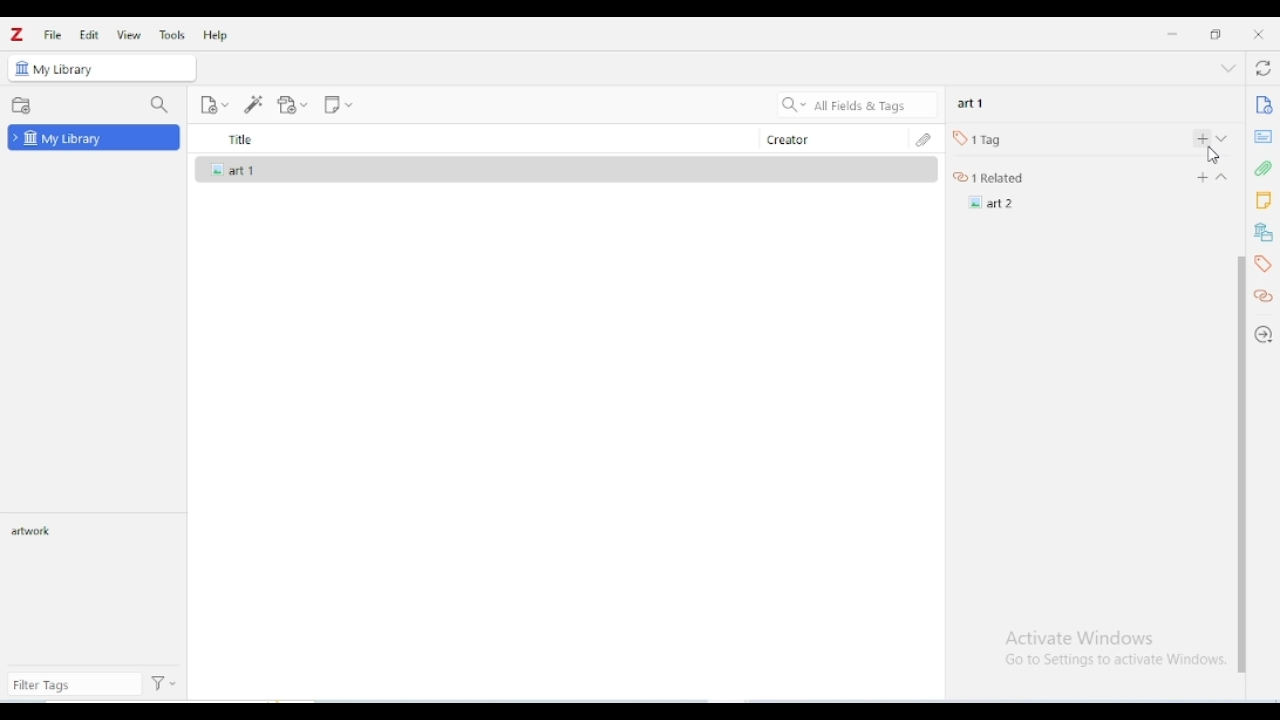 This screenshot has height=720, width=1280. What do you see at coordinates (1265, 334) in the screenshot?
I see `locate` at bounding box center [1265, 334].